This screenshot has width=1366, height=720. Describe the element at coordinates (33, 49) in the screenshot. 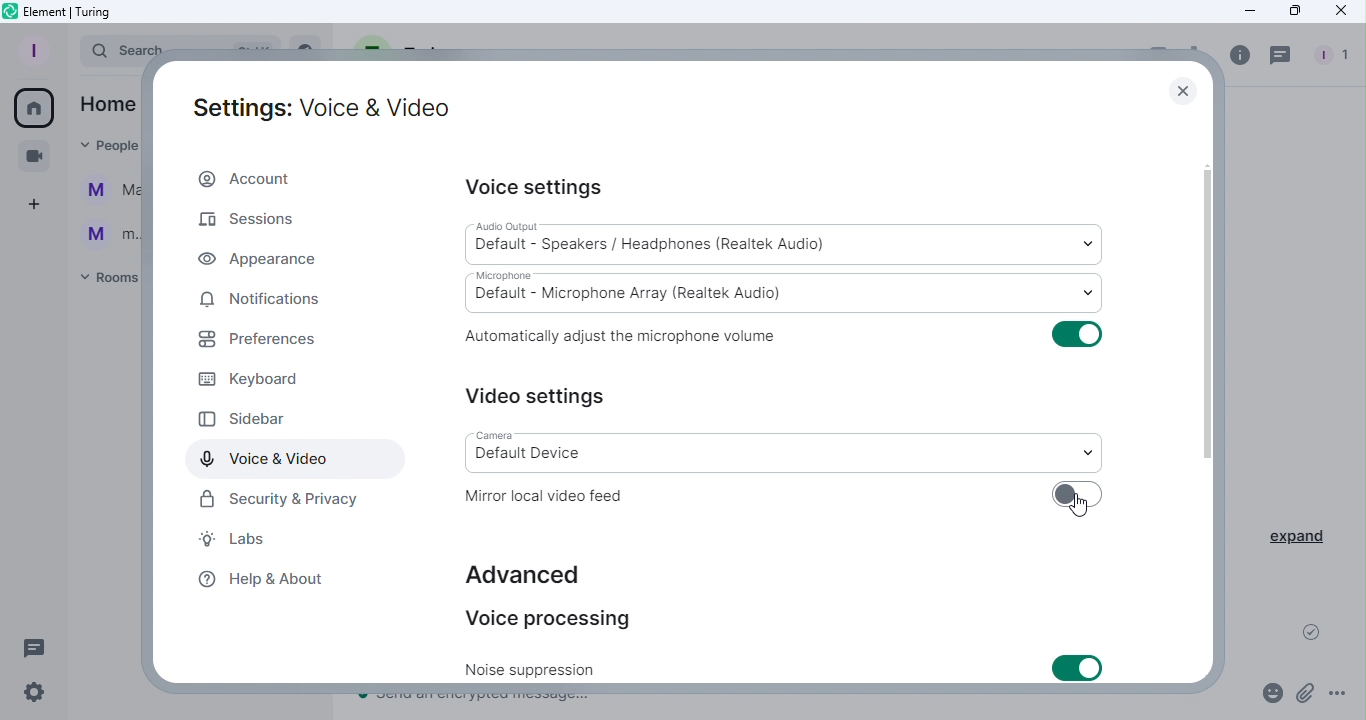

I see `Profile` at that location.